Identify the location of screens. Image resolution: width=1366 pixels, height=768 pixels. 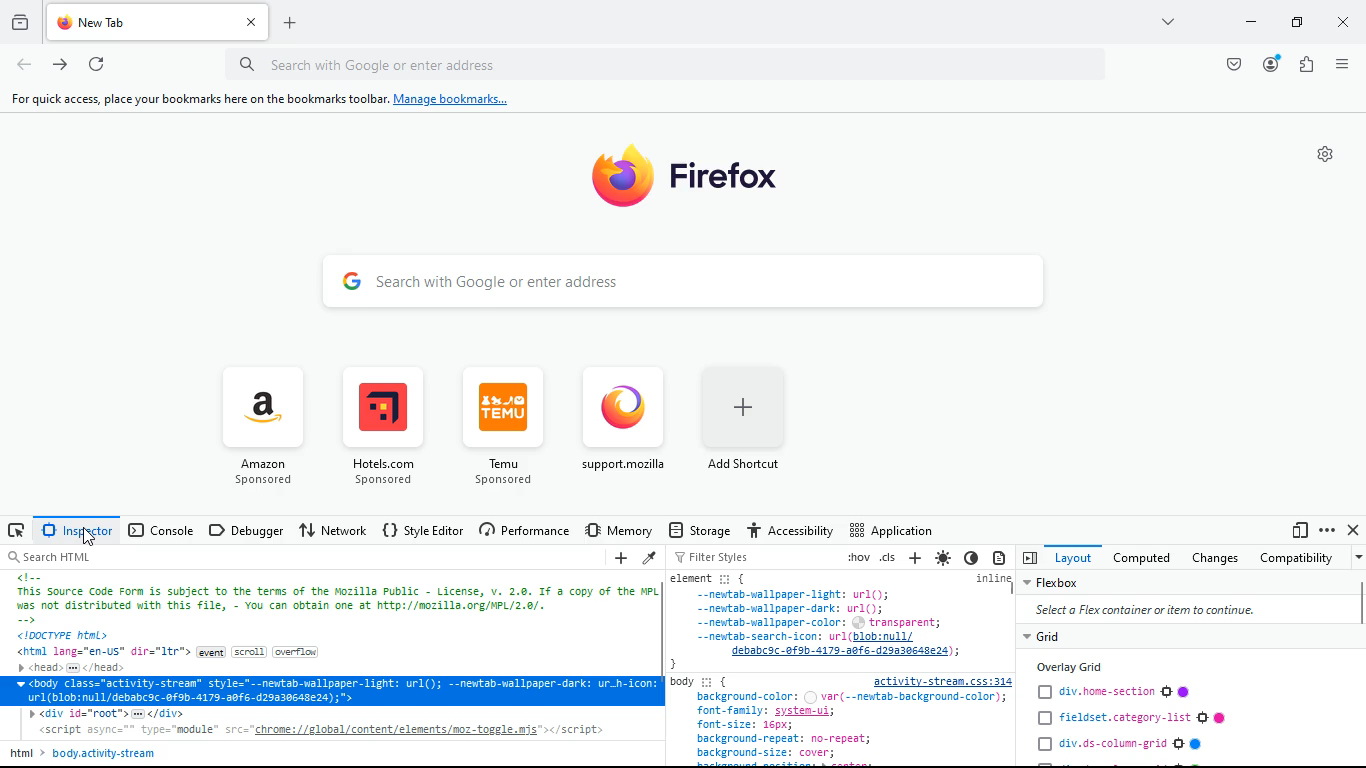
(1299, 531).